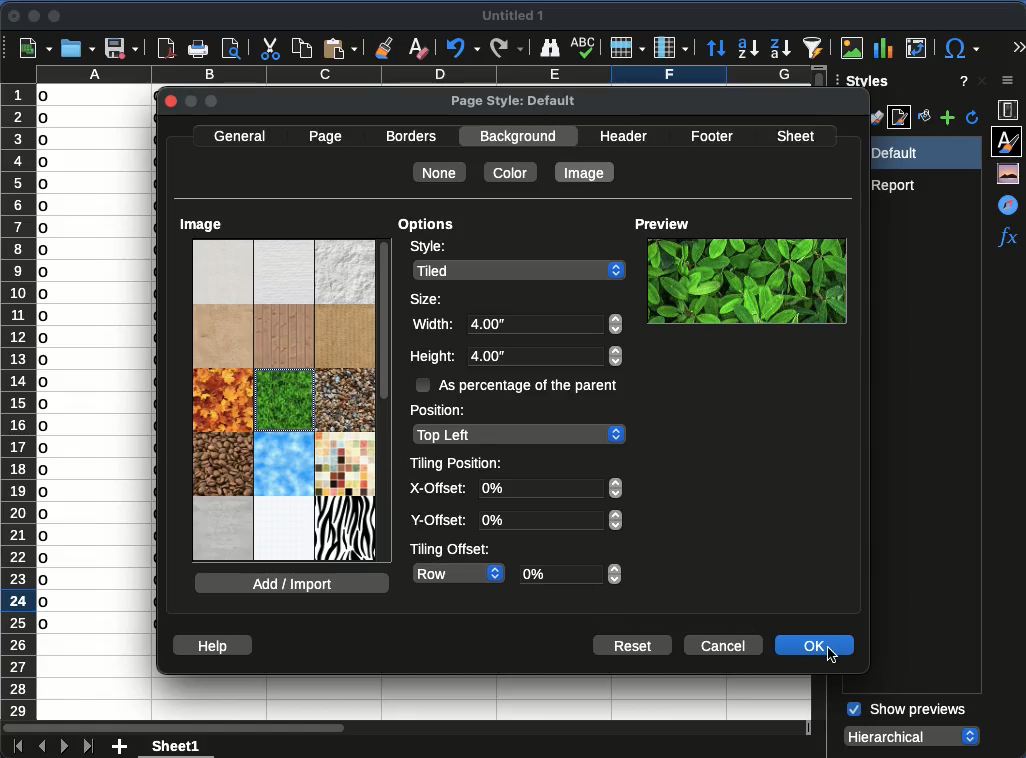  Describe the element at coordinates (583, 48) in the screenshot. I see `spell check` at that location.